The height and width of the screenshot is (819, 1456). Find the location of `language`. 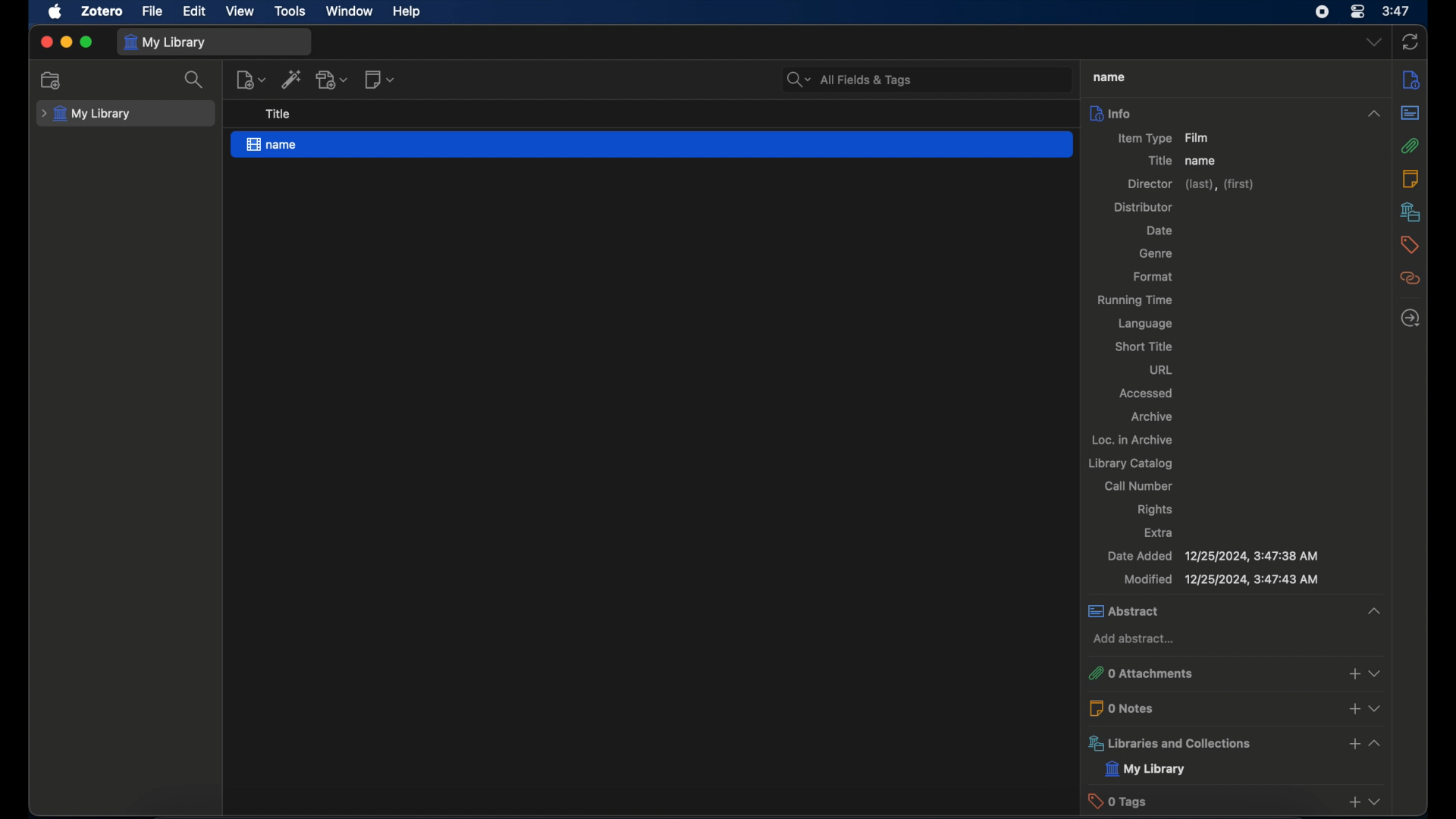

language is located at coordinates (1146, 325).